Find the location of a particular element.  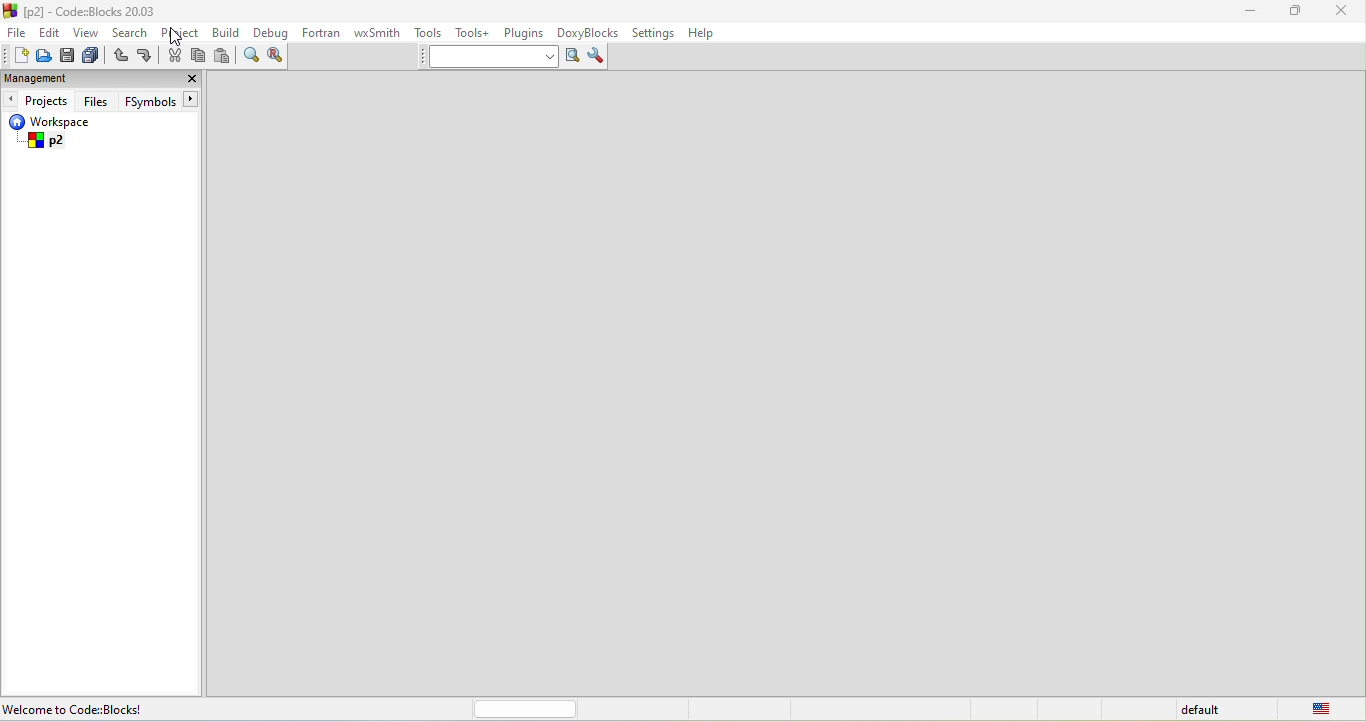

tools++ is located at coordinates (476, 34).